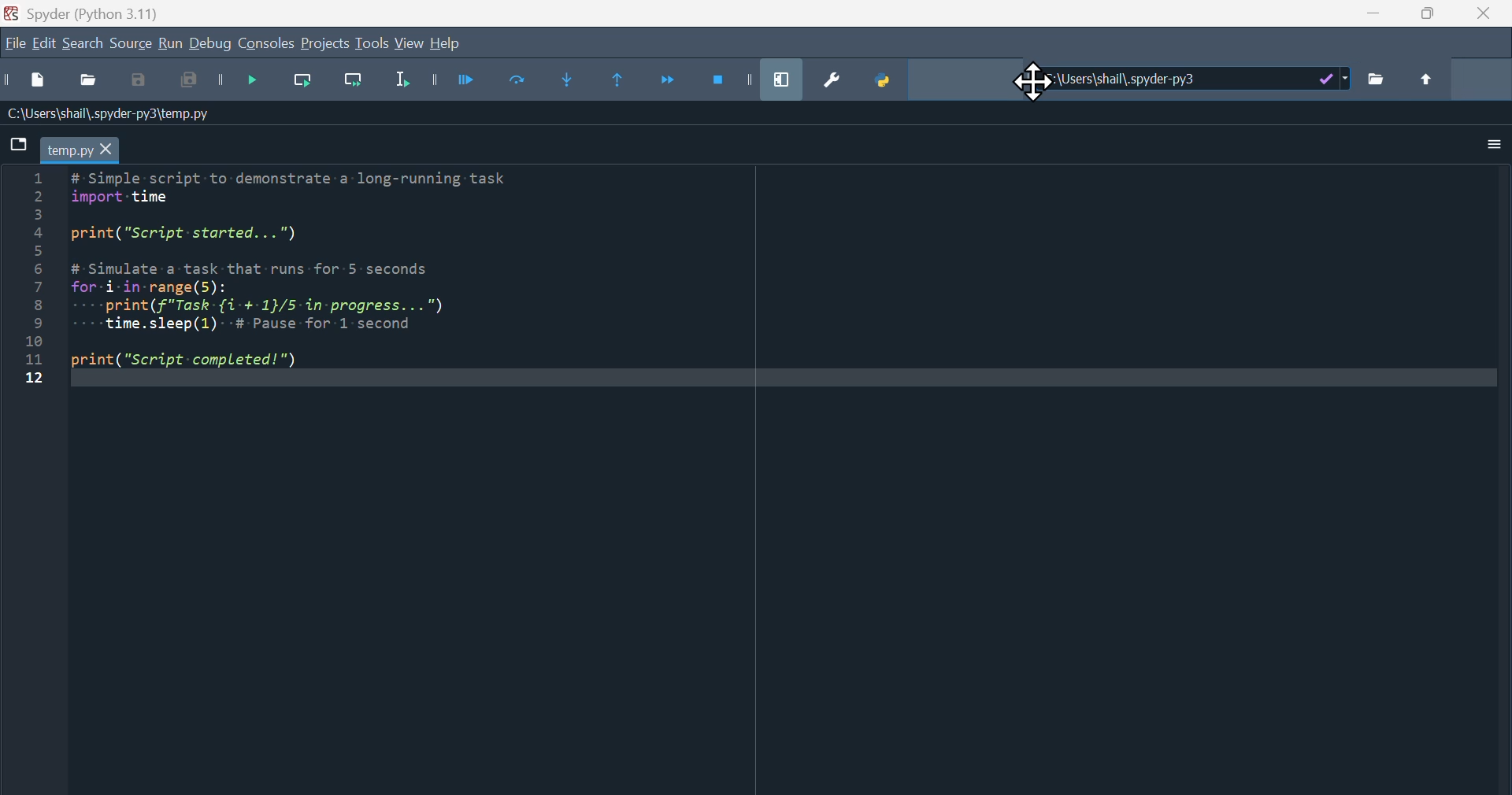 This screenshot has height=795, width=1512. I want to click on Stop debugging, so click(733, 78).